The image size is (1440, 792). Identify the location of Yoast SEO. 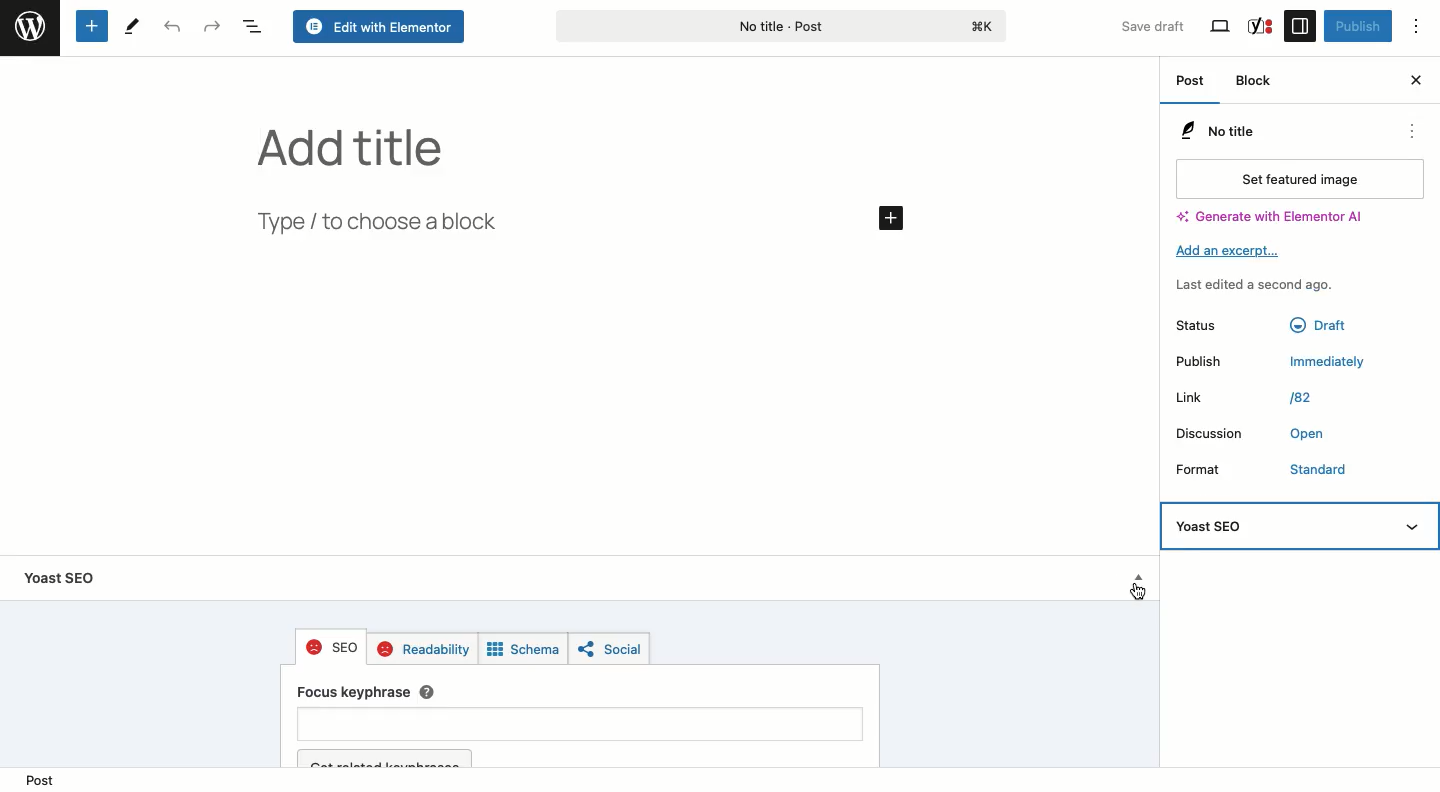
(1211, 530).